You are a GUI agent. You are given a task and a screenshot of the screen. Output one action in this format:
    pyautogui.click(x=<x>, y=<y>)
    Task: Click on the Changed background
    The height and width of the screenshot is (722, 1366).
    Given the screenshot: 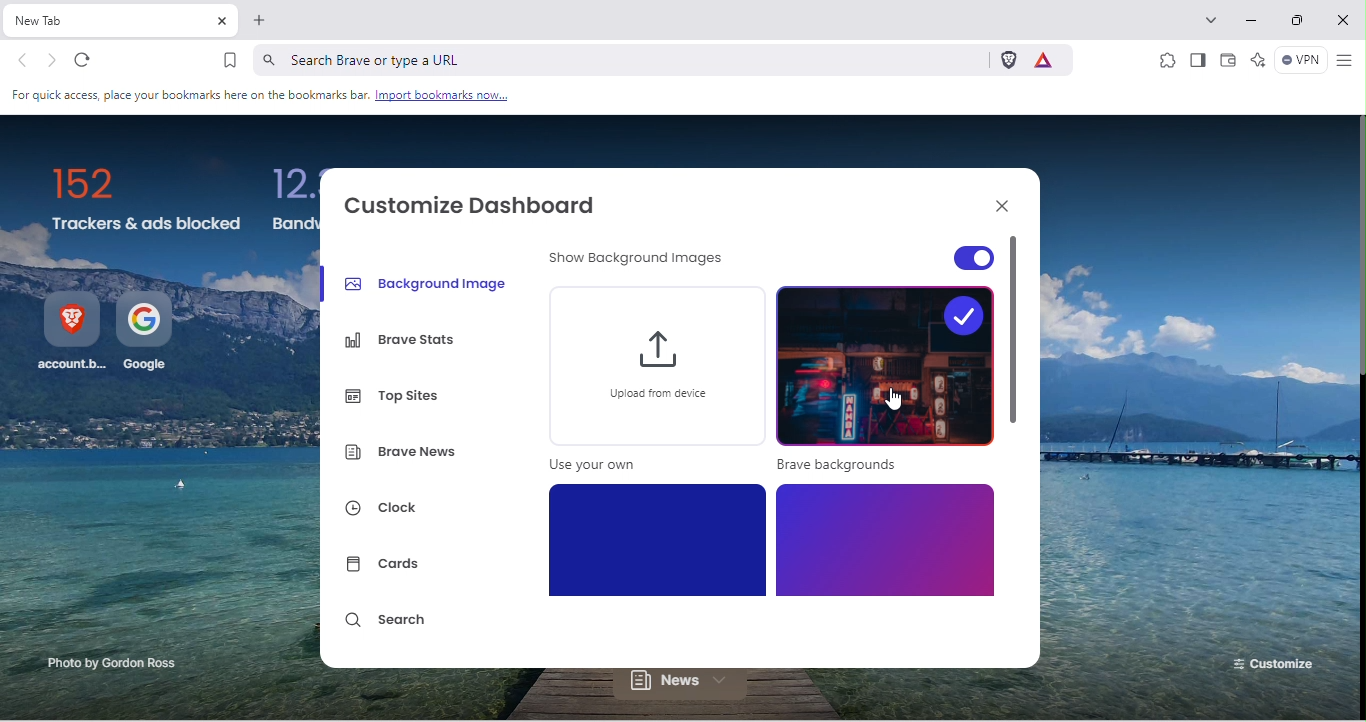 What is the action you would take?
    pyautogui.click(x=1195, y=375)
    